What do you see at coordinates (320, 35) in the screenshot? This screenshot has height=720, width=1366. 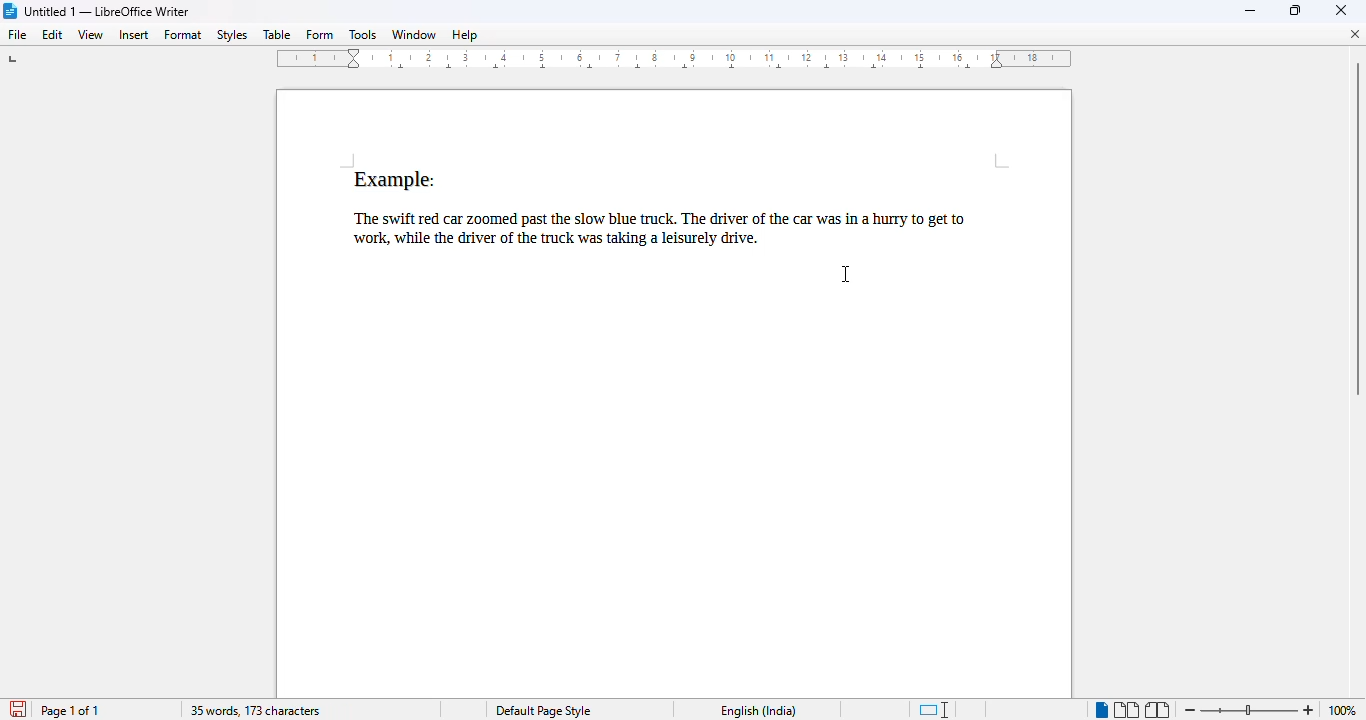 I see `form` at bounding box center [320, 35].